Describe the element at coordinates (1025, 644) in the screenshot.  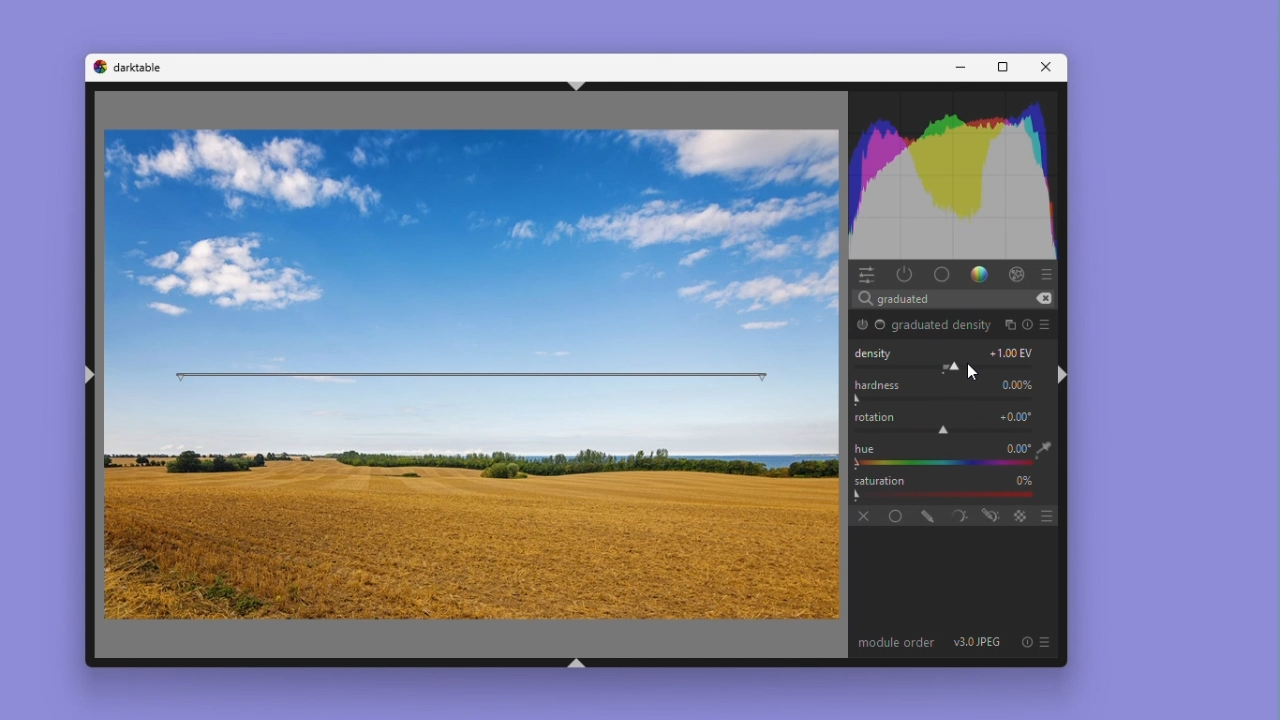
I see `reset` at that location.